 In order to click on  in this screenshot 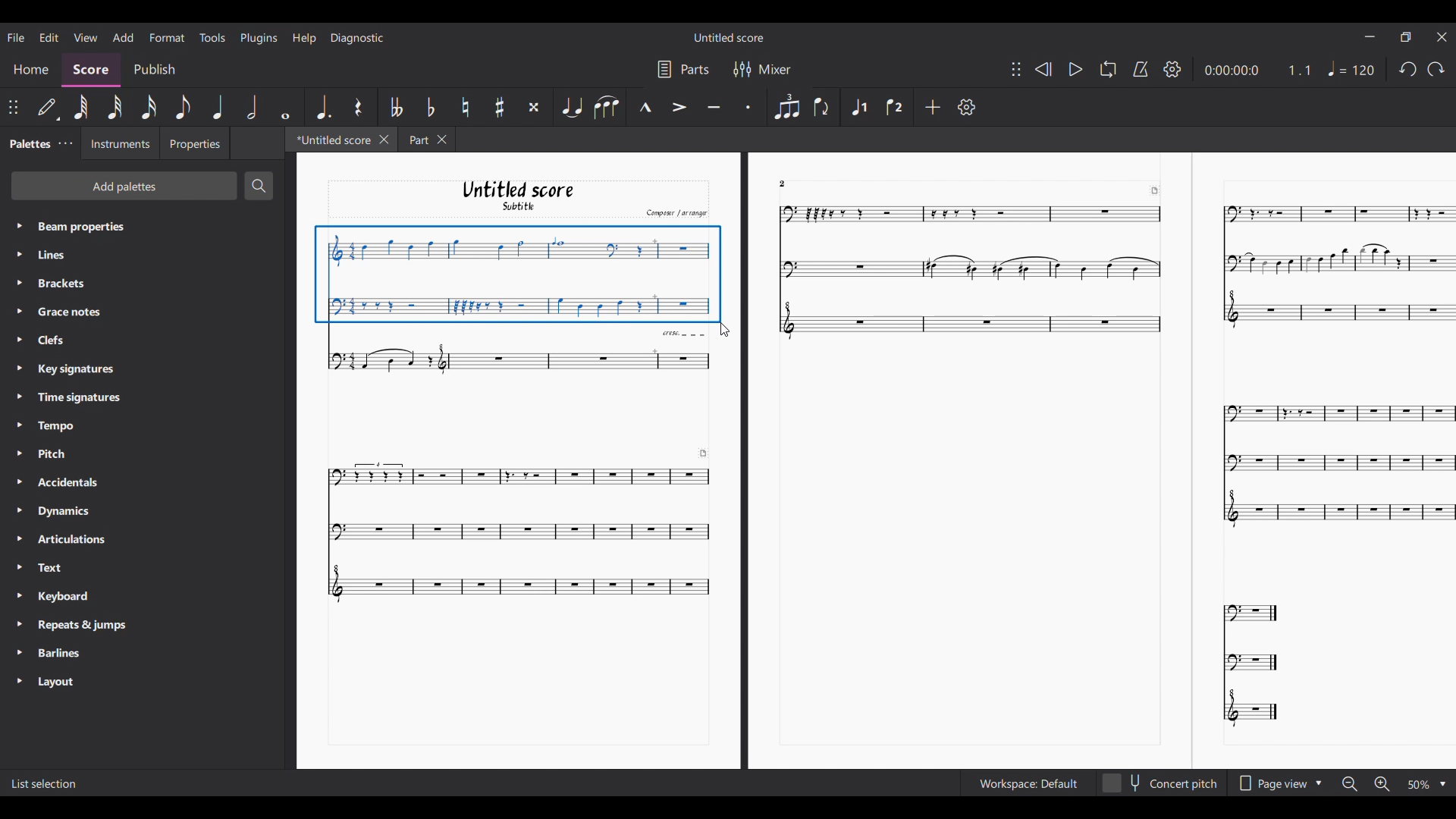, I will do `click(16, 485)`.